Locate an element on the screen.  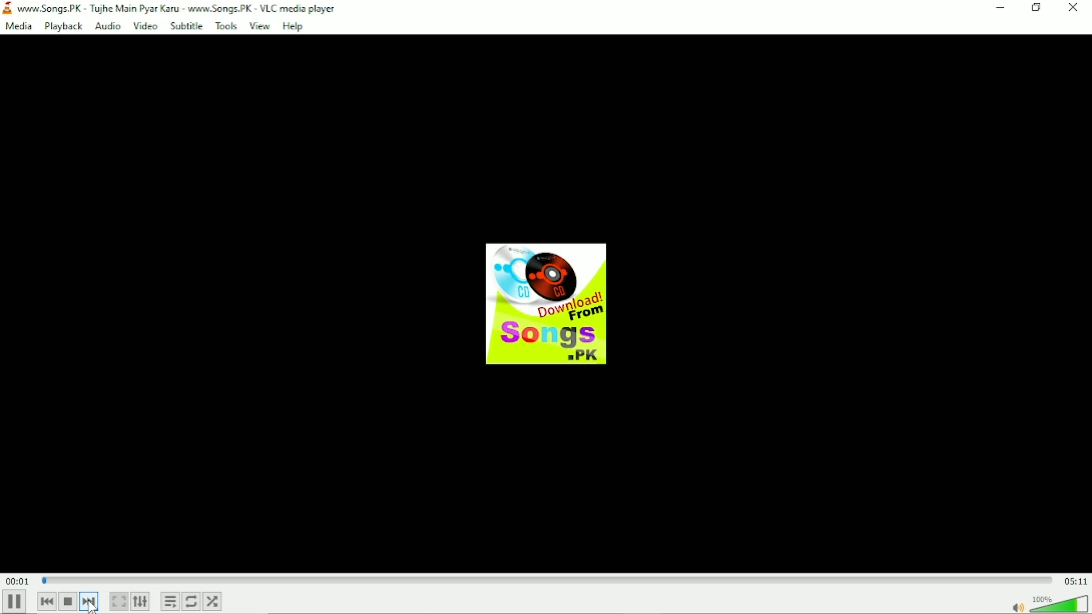
Media is located at coordinates (18, 26).